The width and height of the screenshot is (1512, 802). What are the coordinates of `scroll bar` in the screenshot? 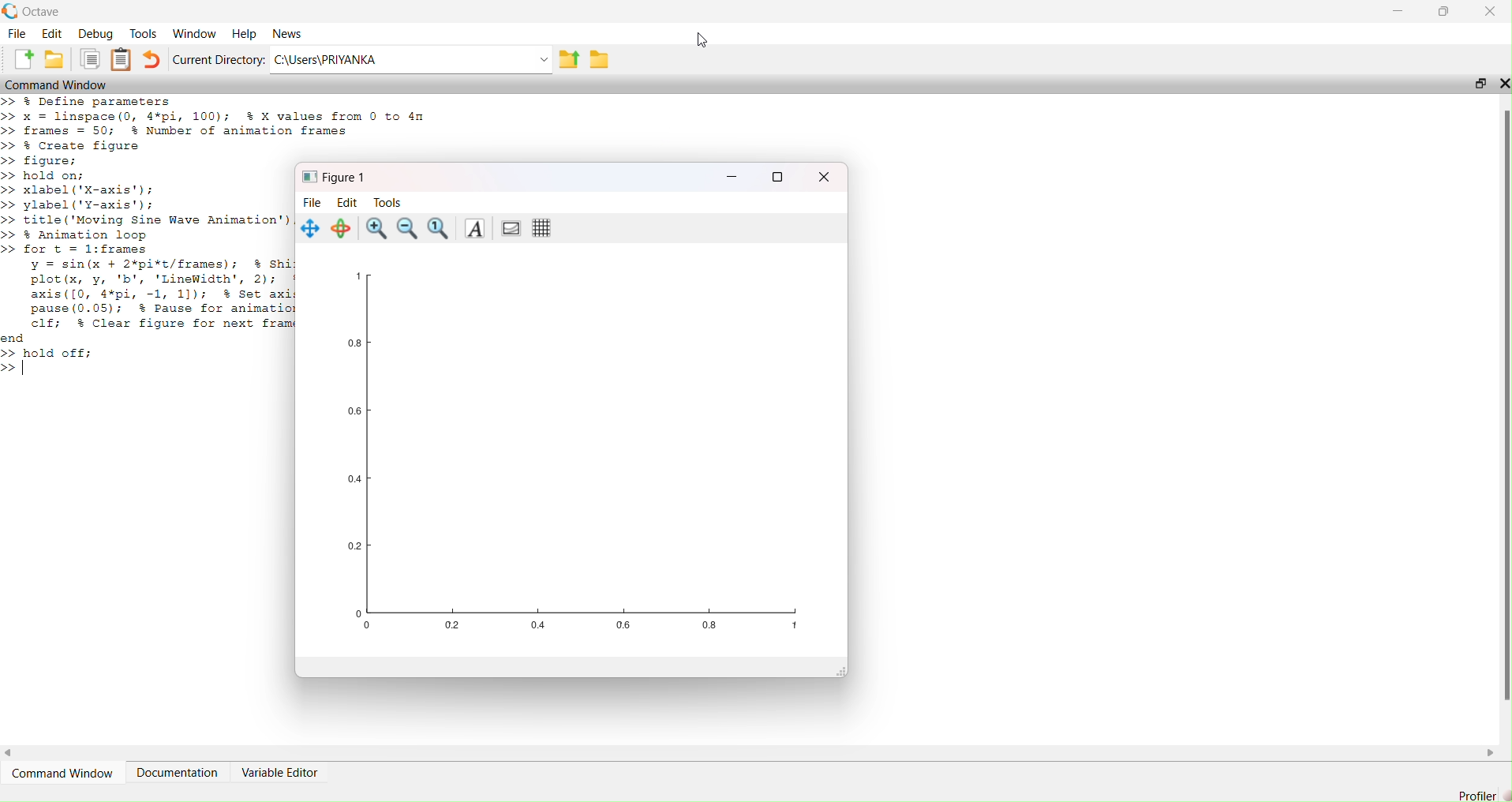 It's located at (1499, 422).